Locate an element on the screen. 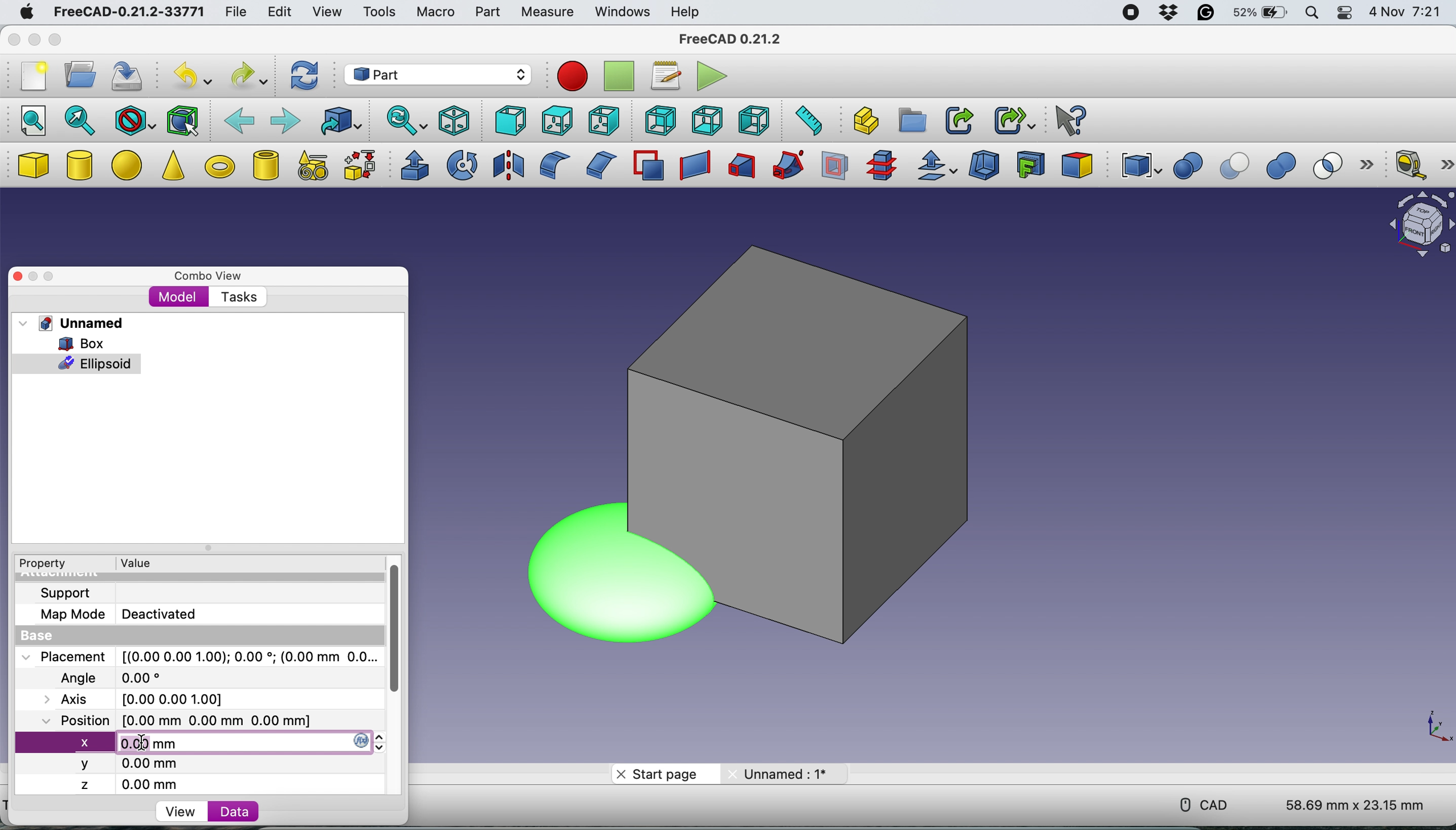 The height and width of the screenshot is (830, 1456). macros is located at coordinates (663, 76).